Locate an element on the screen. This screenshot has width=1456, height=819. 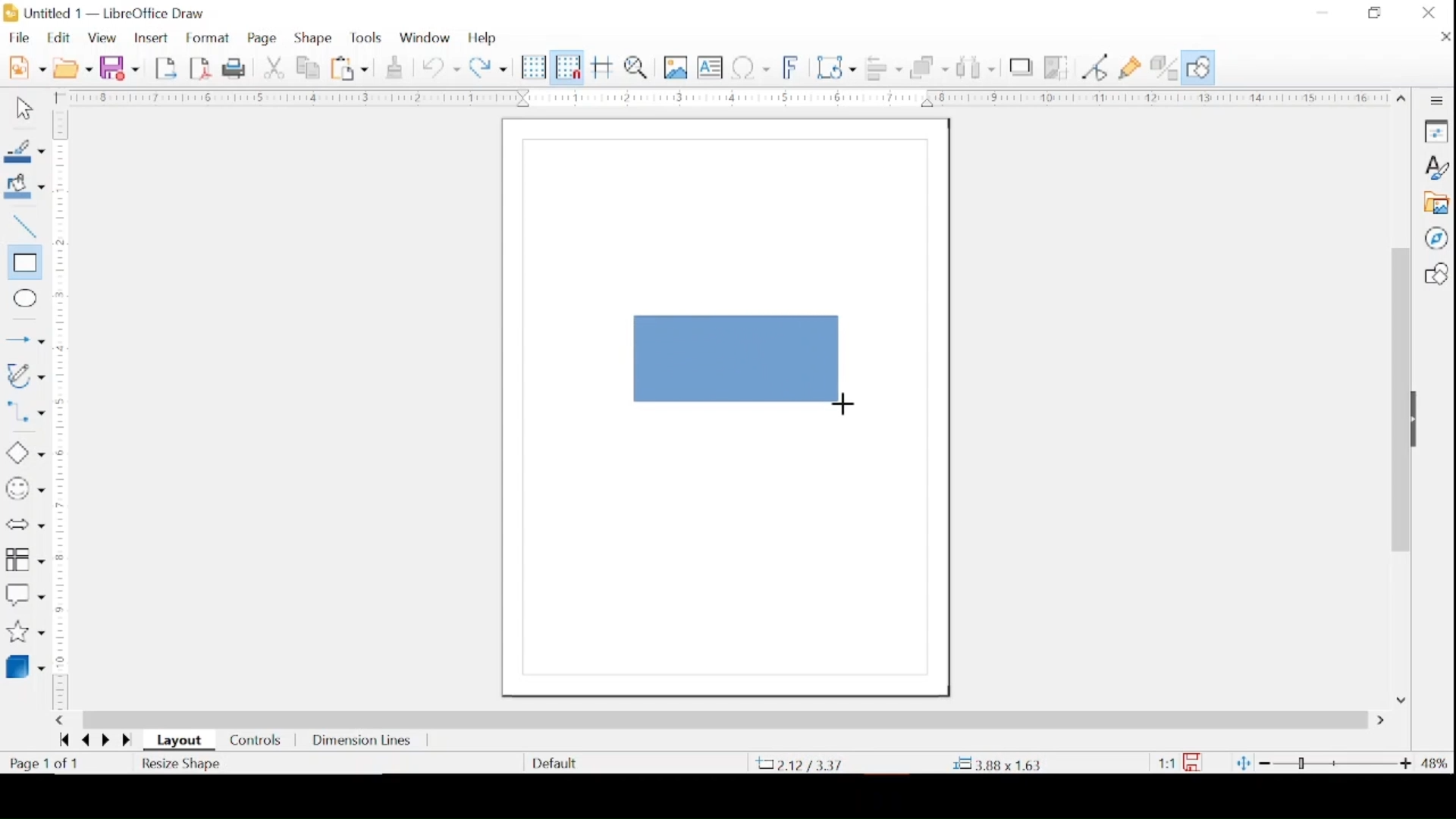
display grid is located at coordinates (534, 68).